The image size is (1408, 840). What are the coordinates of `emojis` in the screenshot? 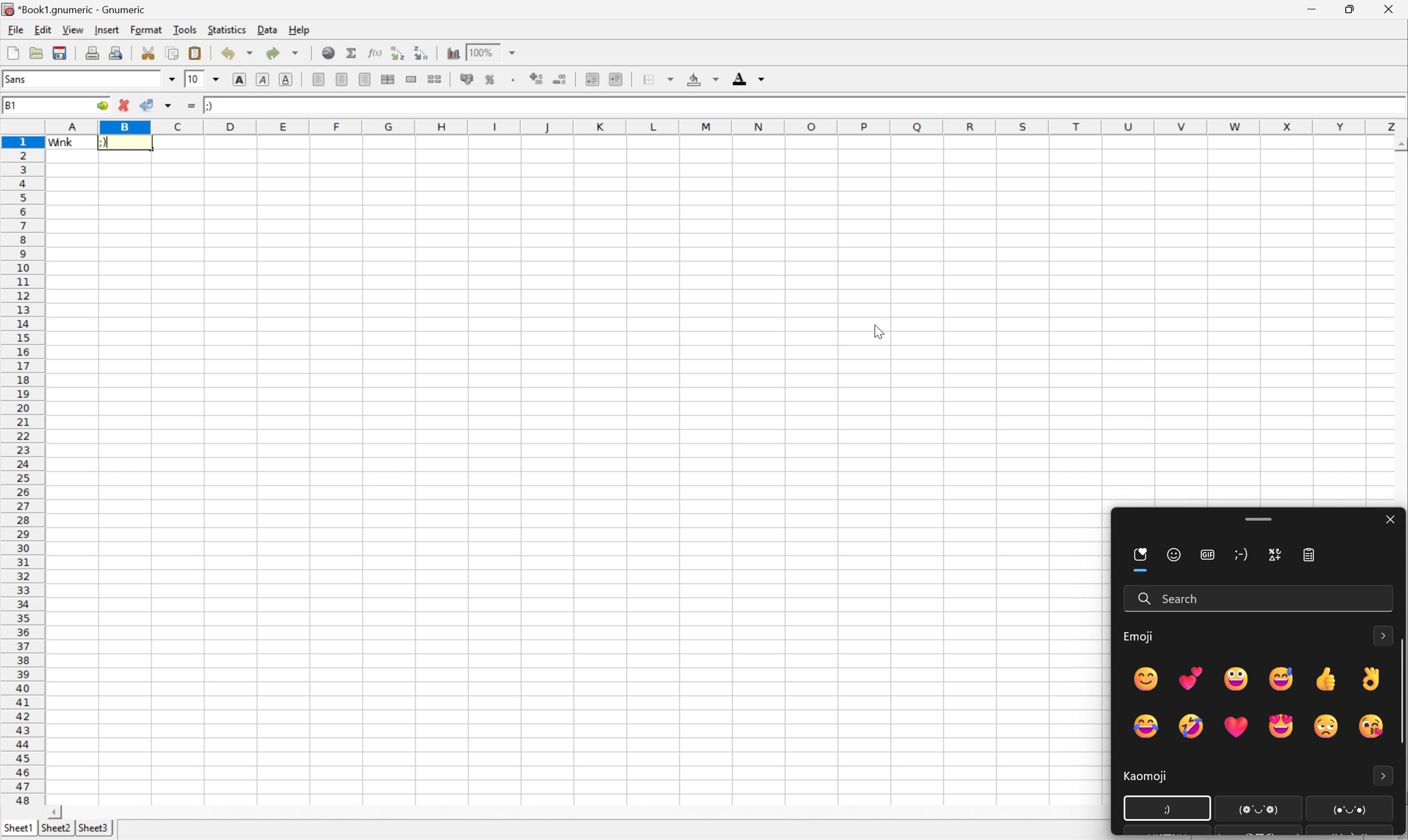 It's located at (1252, 698).